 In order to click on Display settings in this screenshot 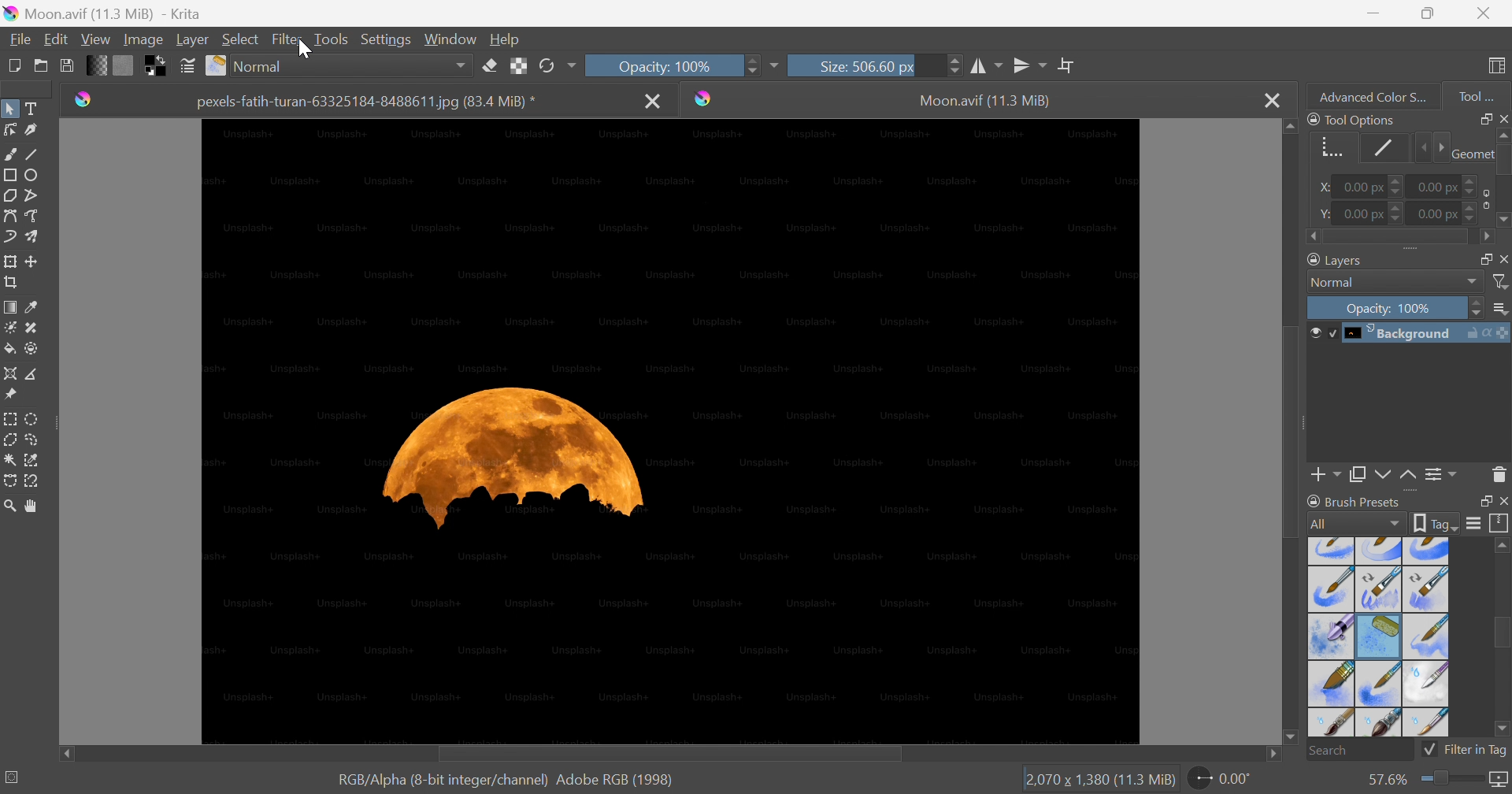, I will do `click(1477, 522)`.